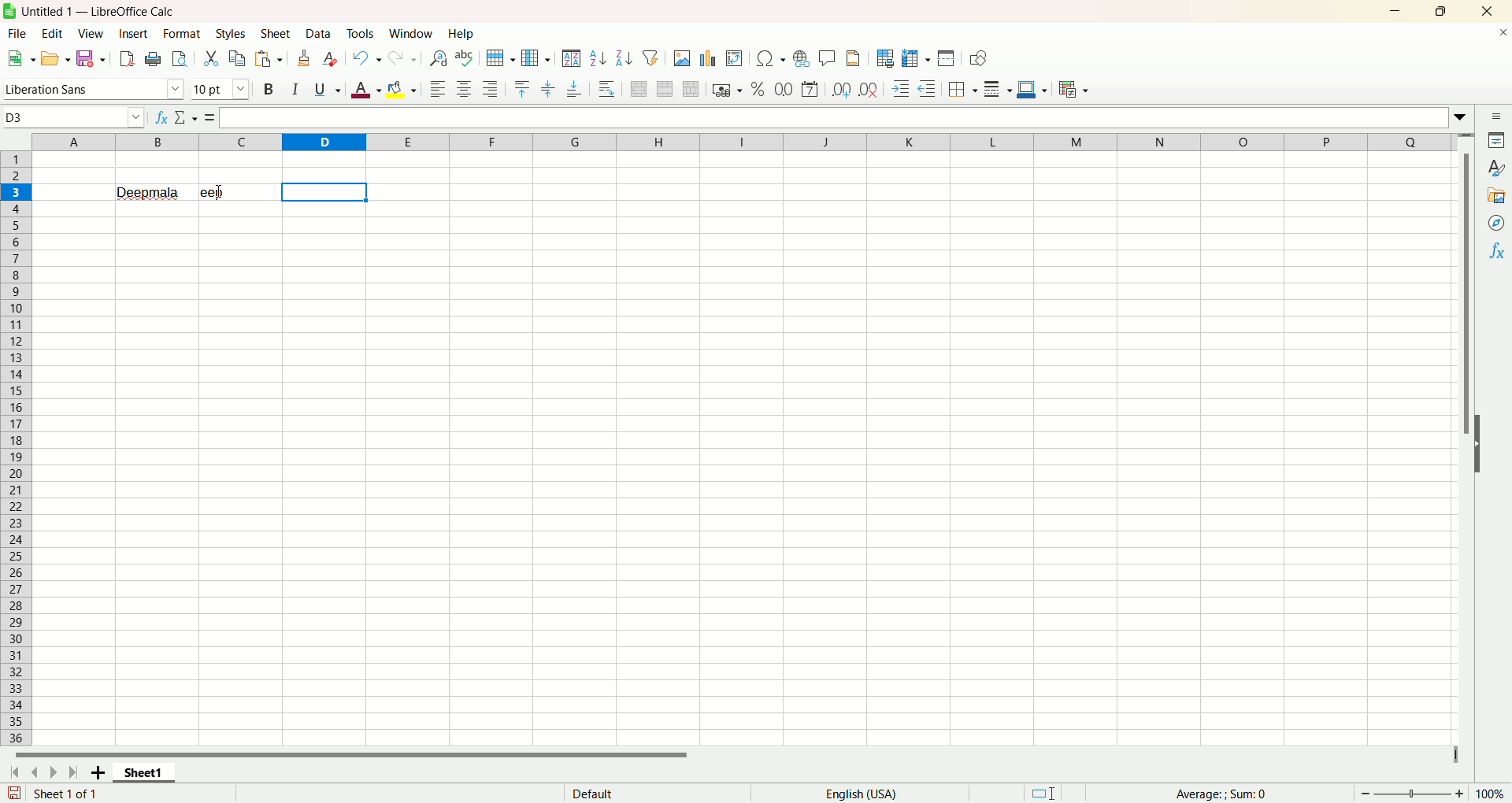  What do you see at coordinates (401, 90) in the screenshot?
I see `Background color` at bounding box center [401, 90].